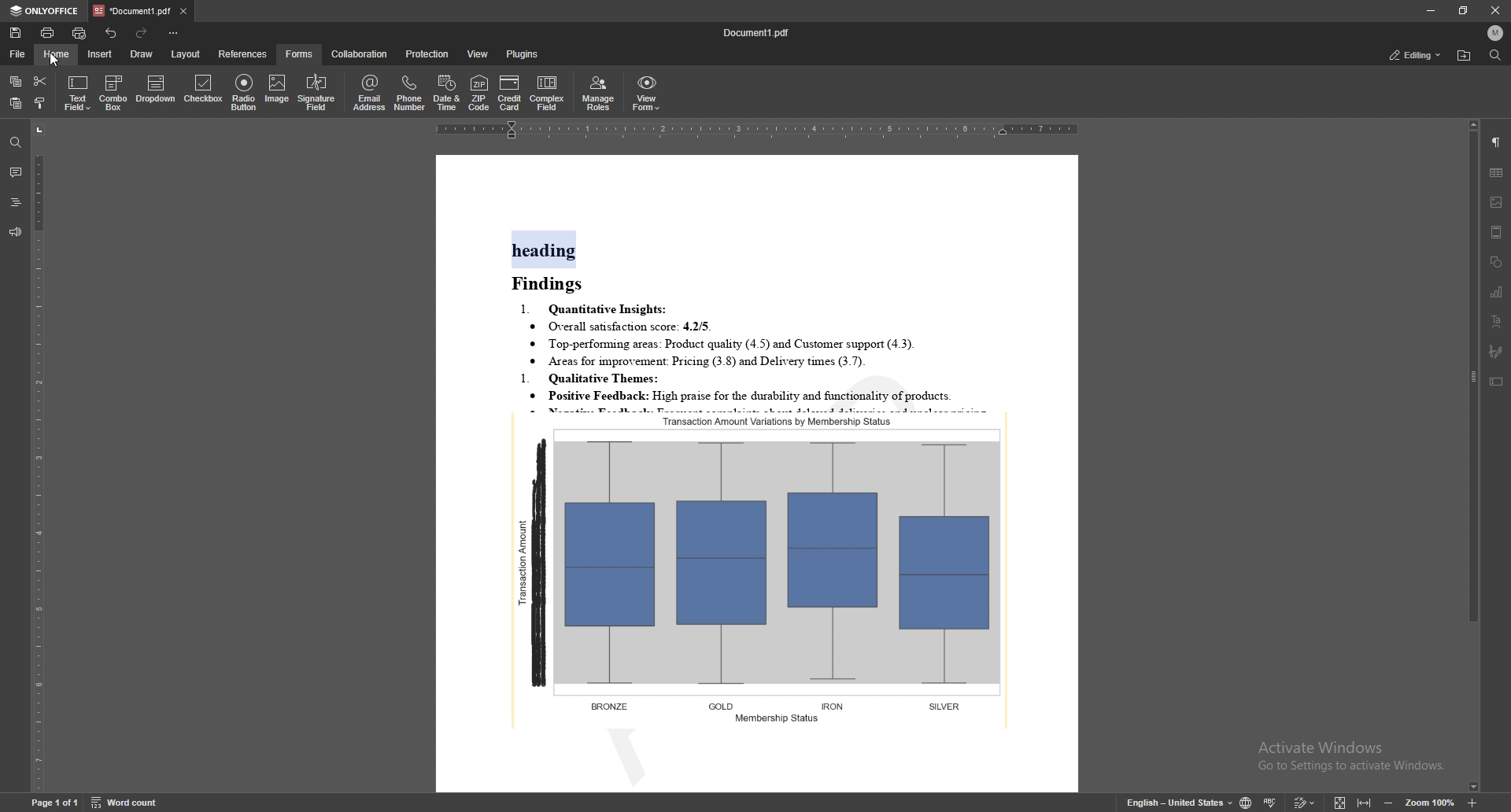 This screenshot has width=1511, height=812. Describe the element at coordinates (45, 12) in the screenshot. I see `onlyoffice` at that location.